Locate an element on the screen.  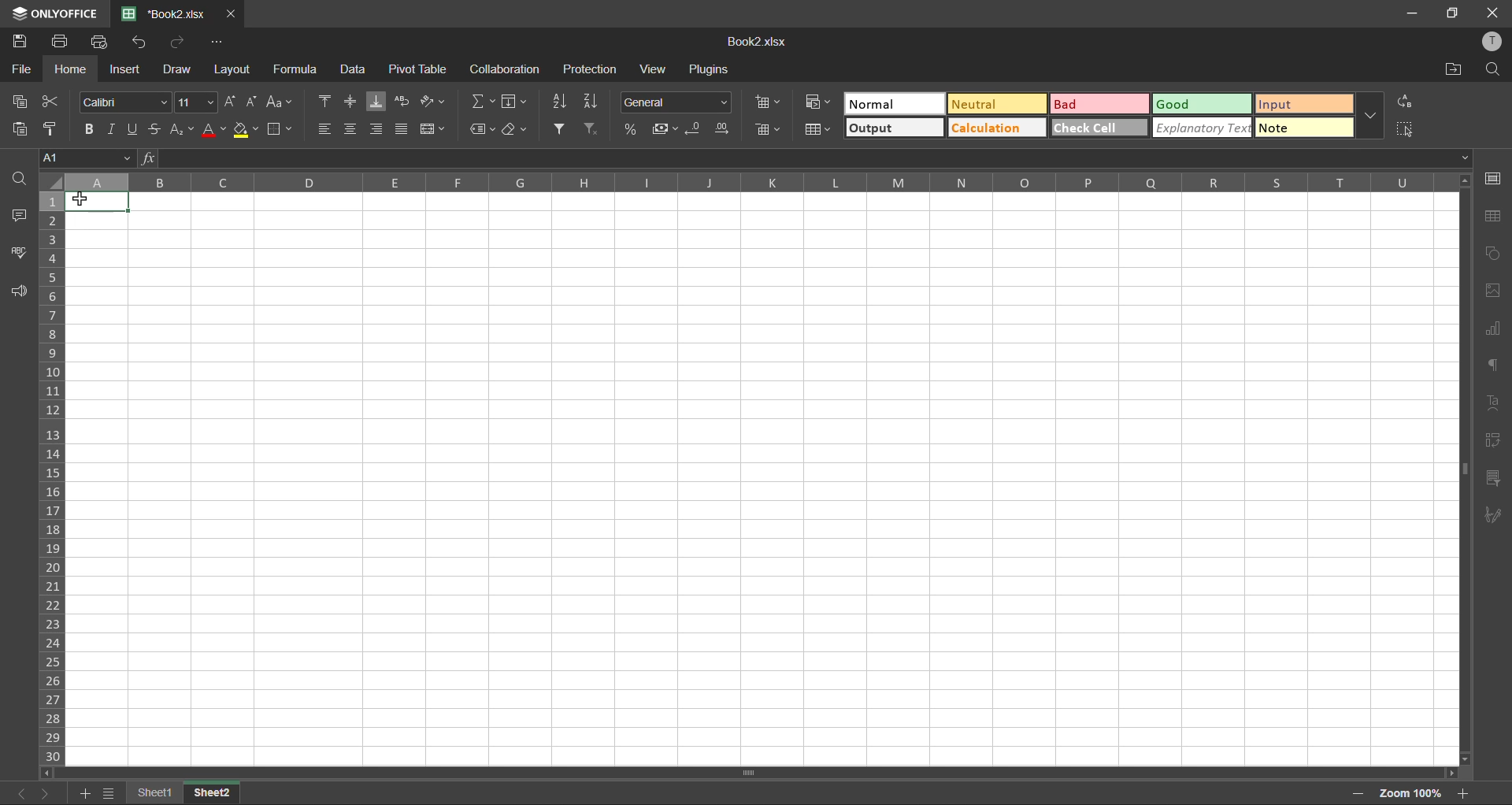
good is located at coordinates (1203, 105).